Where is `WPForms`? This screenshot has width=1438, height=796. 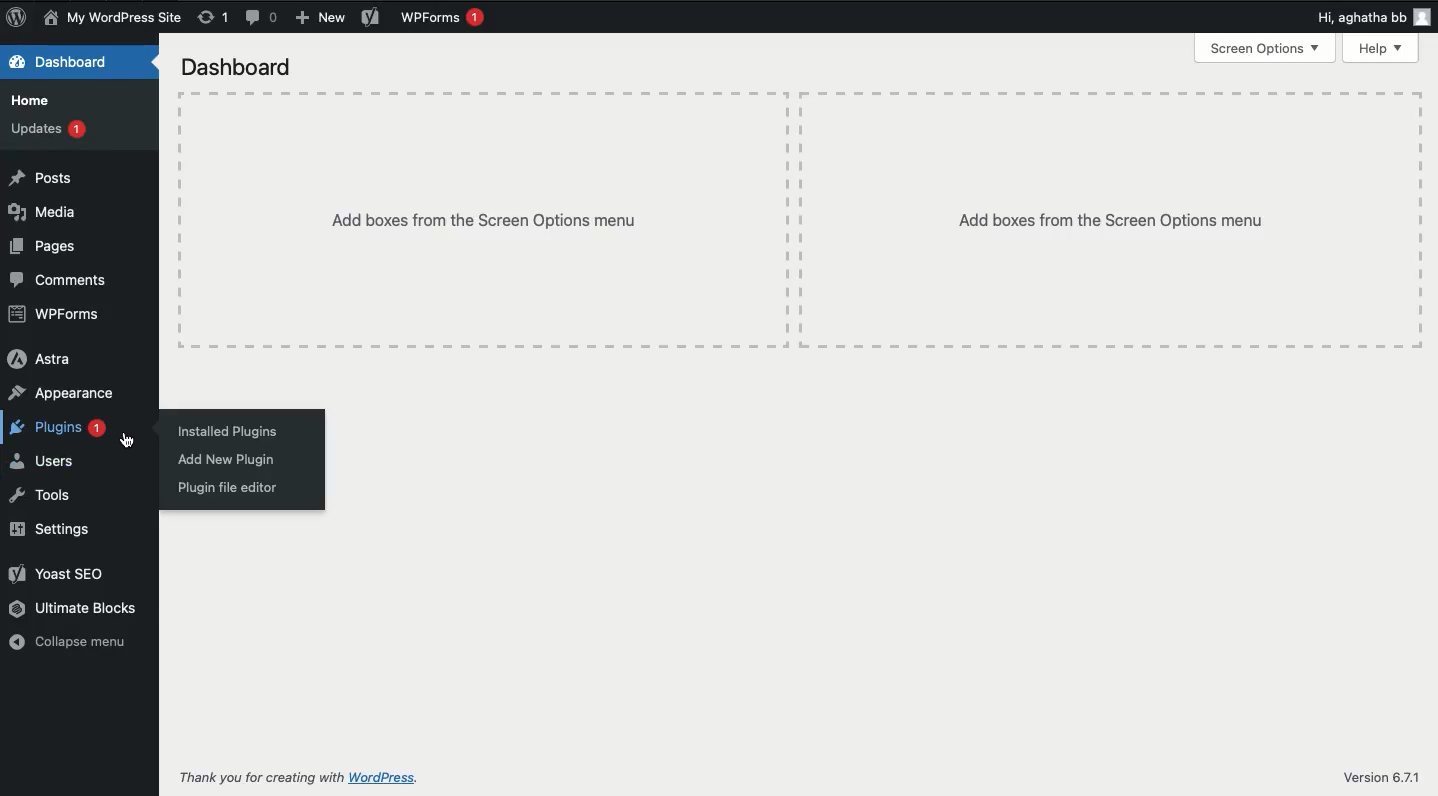
WPForms is located at coordinates (66, 316).